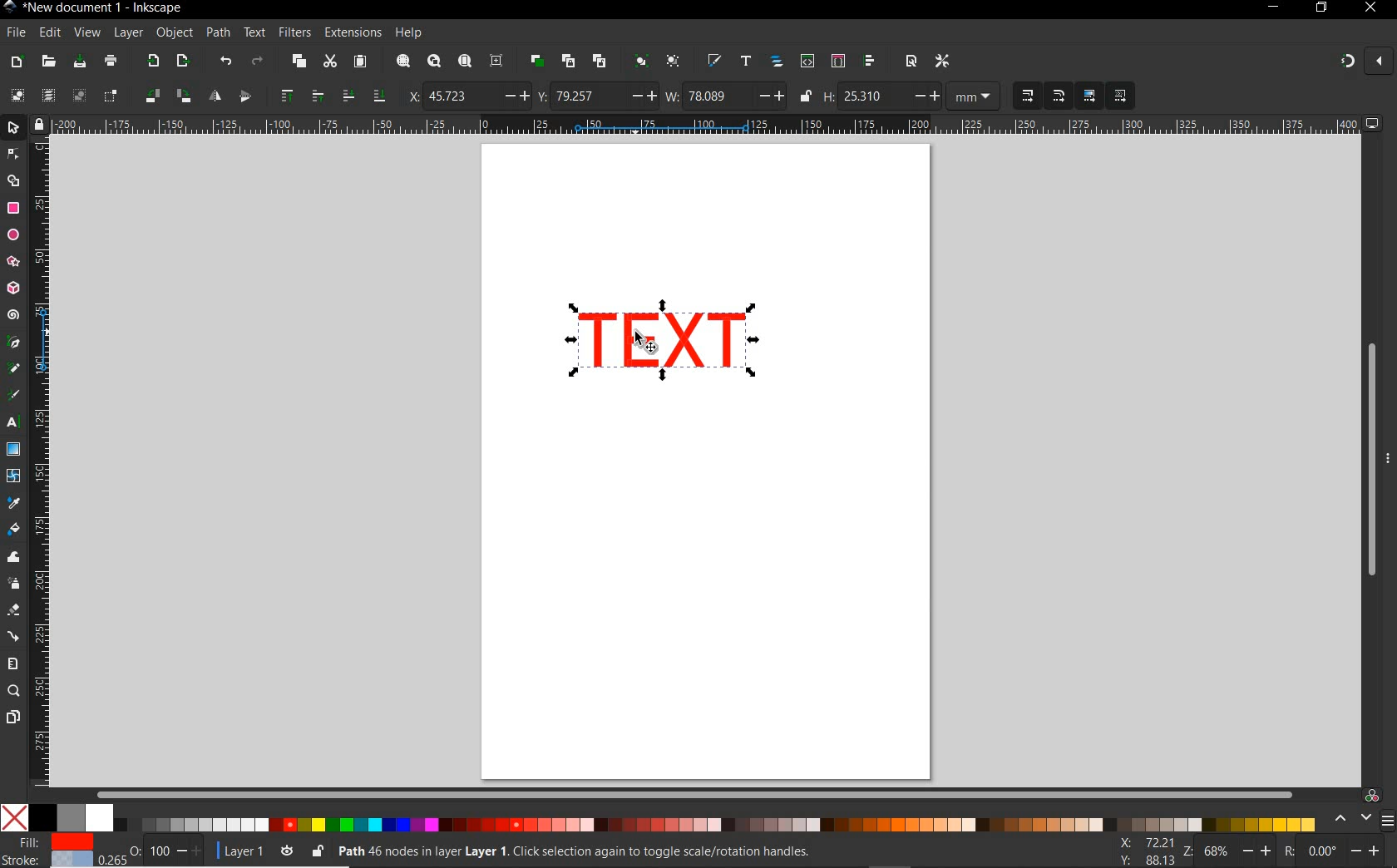 This screenshot has width=1397, height=868. What do you see at coordinates (14, 343) in the screenshot?
I see `PEN TOOL` at bounding box center [14, 343].